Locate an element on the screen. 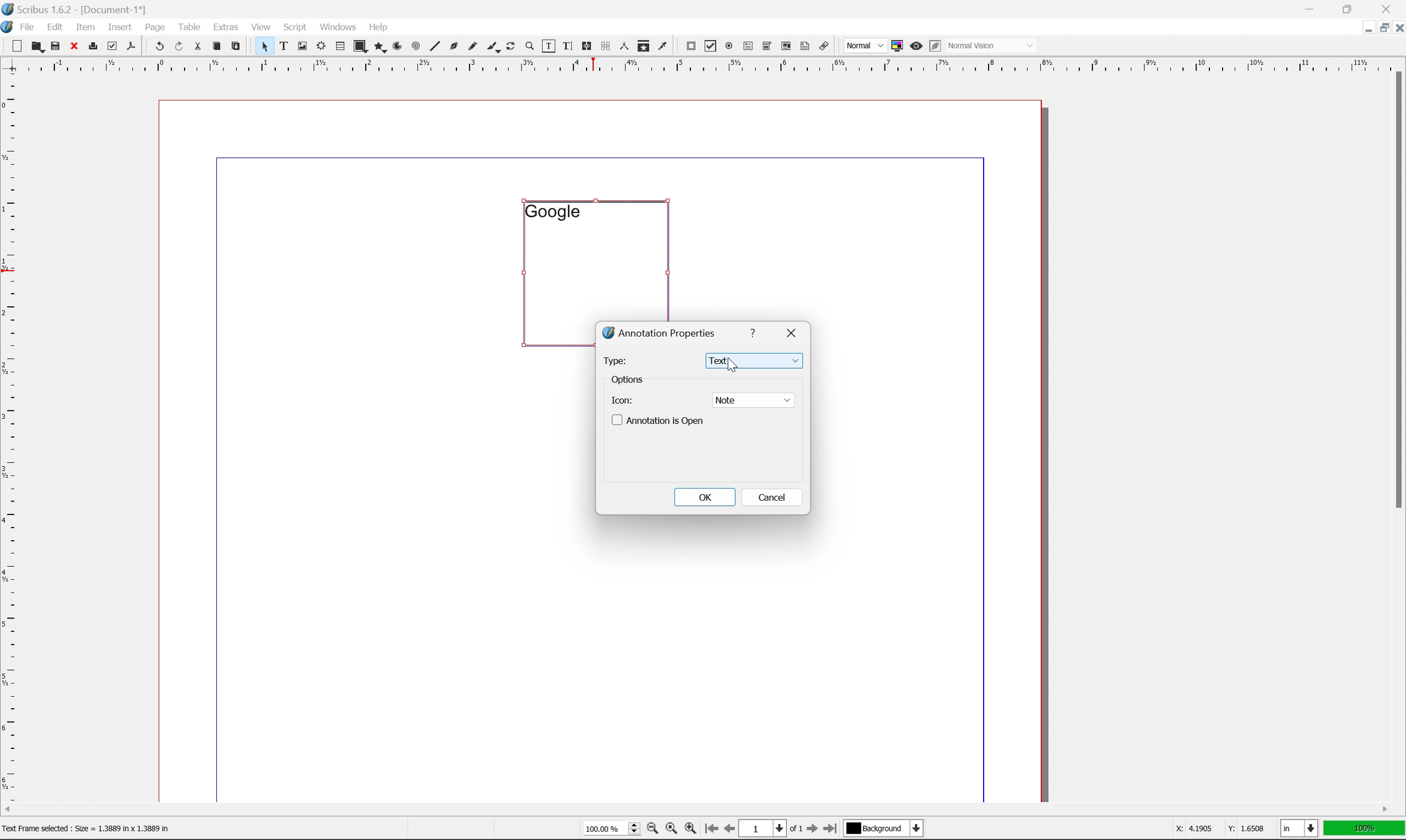  go to next page is located at coordinates (809, 830).